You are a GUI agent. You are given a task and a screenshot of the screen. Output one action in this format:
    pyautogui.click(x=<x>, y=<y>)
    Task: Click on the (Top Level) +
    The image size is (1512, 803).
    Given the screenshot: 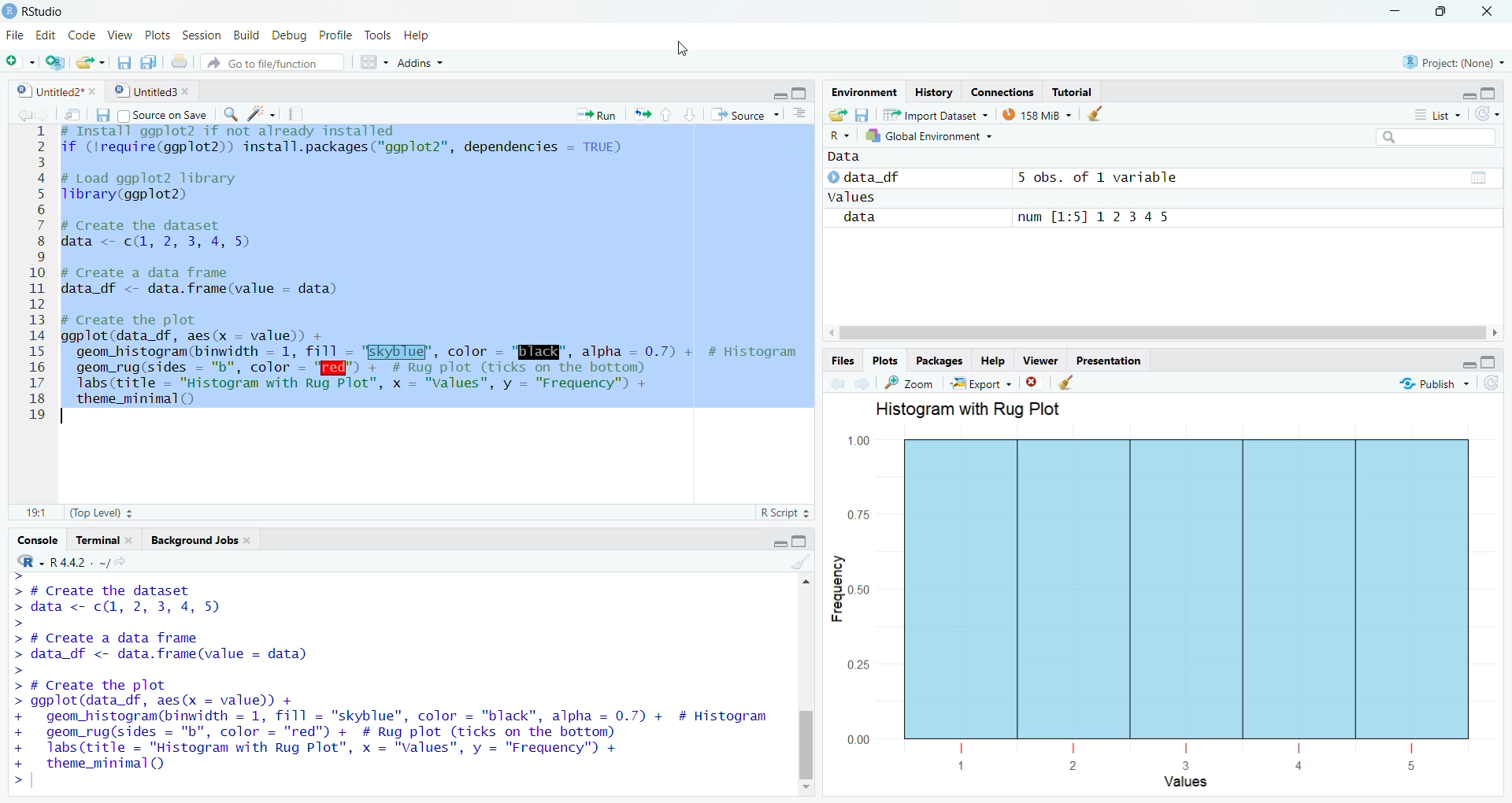 What is the action you would take?
    pyautogui.click(x=108, y=512)
    